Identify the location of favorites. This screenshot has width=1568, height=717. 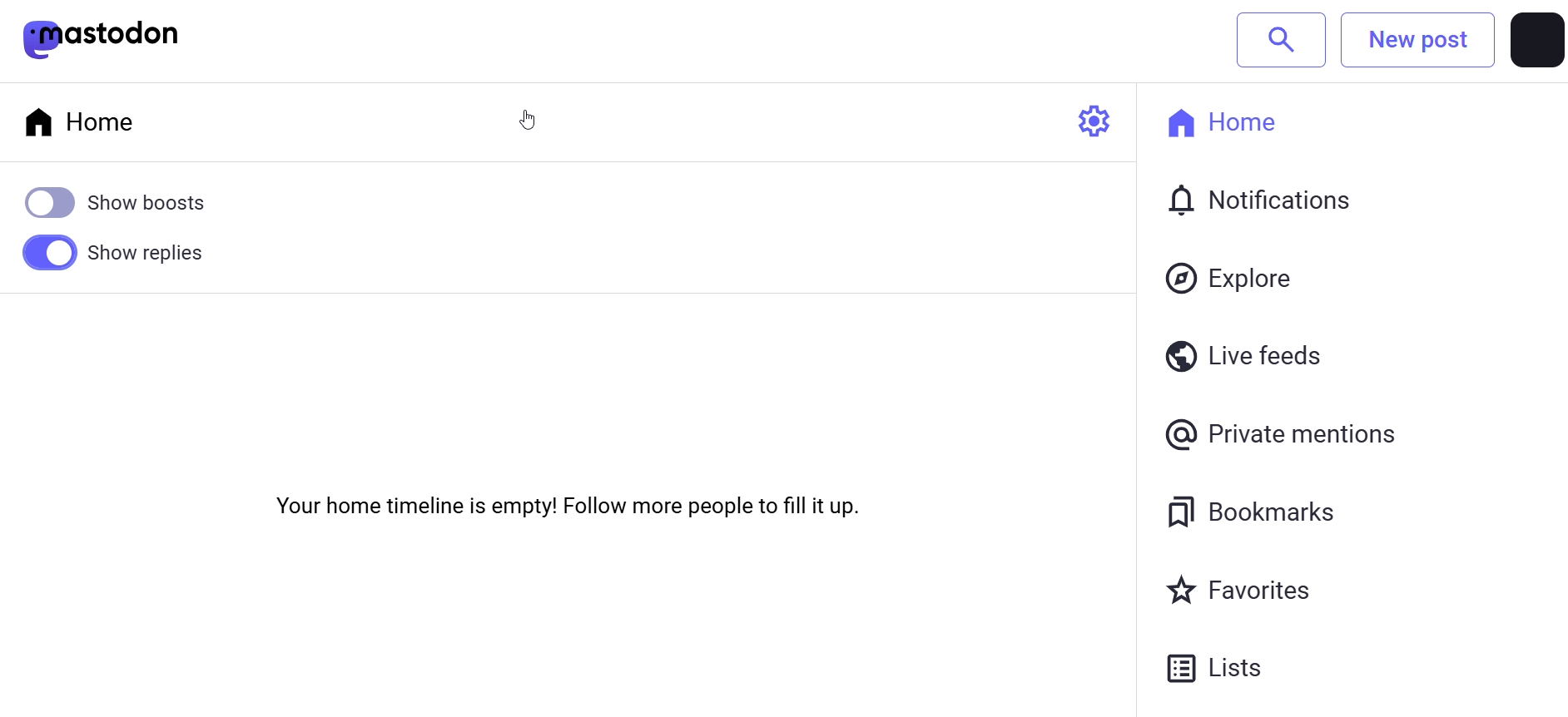
(1238, 590).